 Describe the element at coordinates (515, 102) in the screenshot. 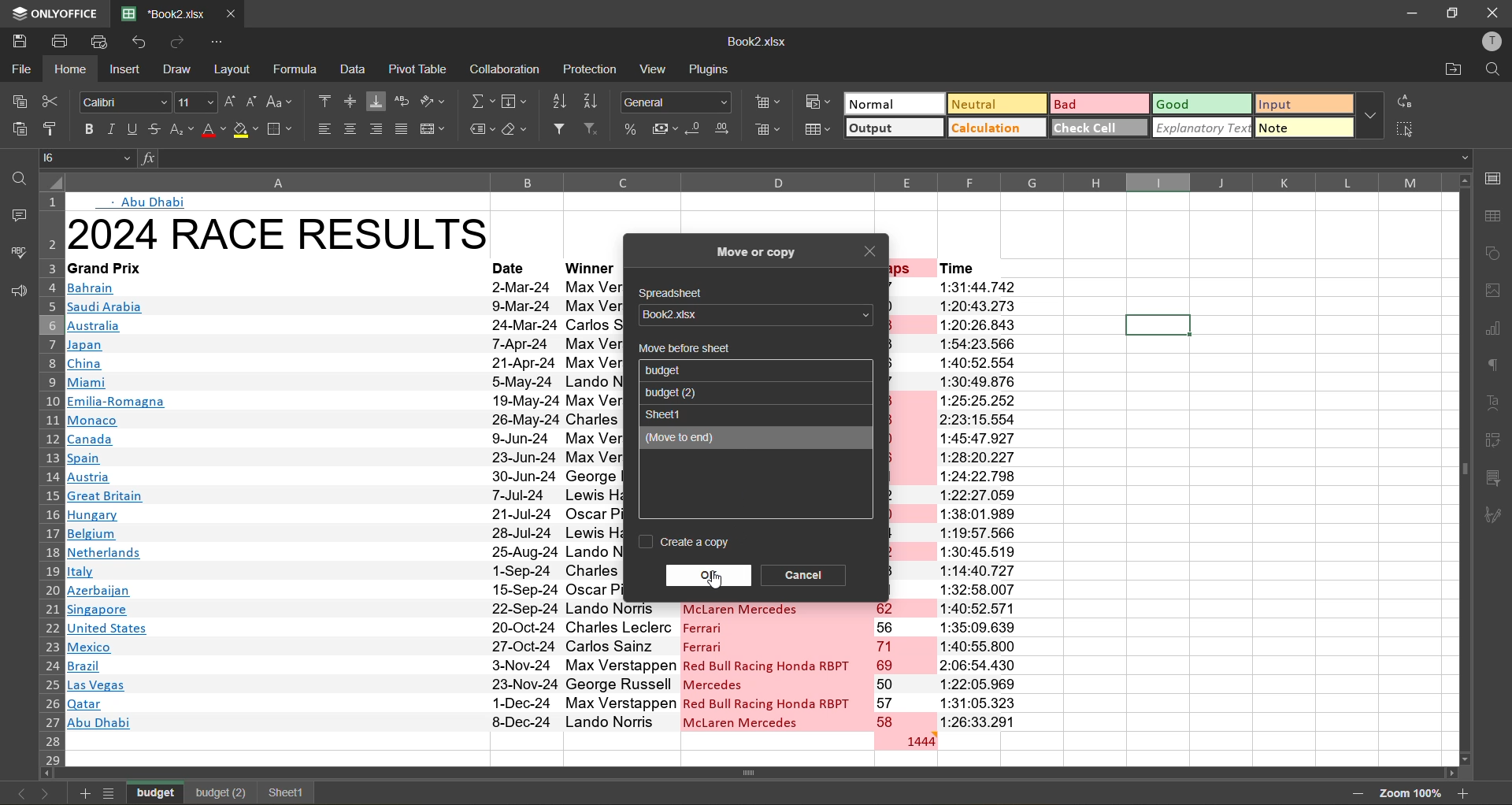

I see `fields` at that location.